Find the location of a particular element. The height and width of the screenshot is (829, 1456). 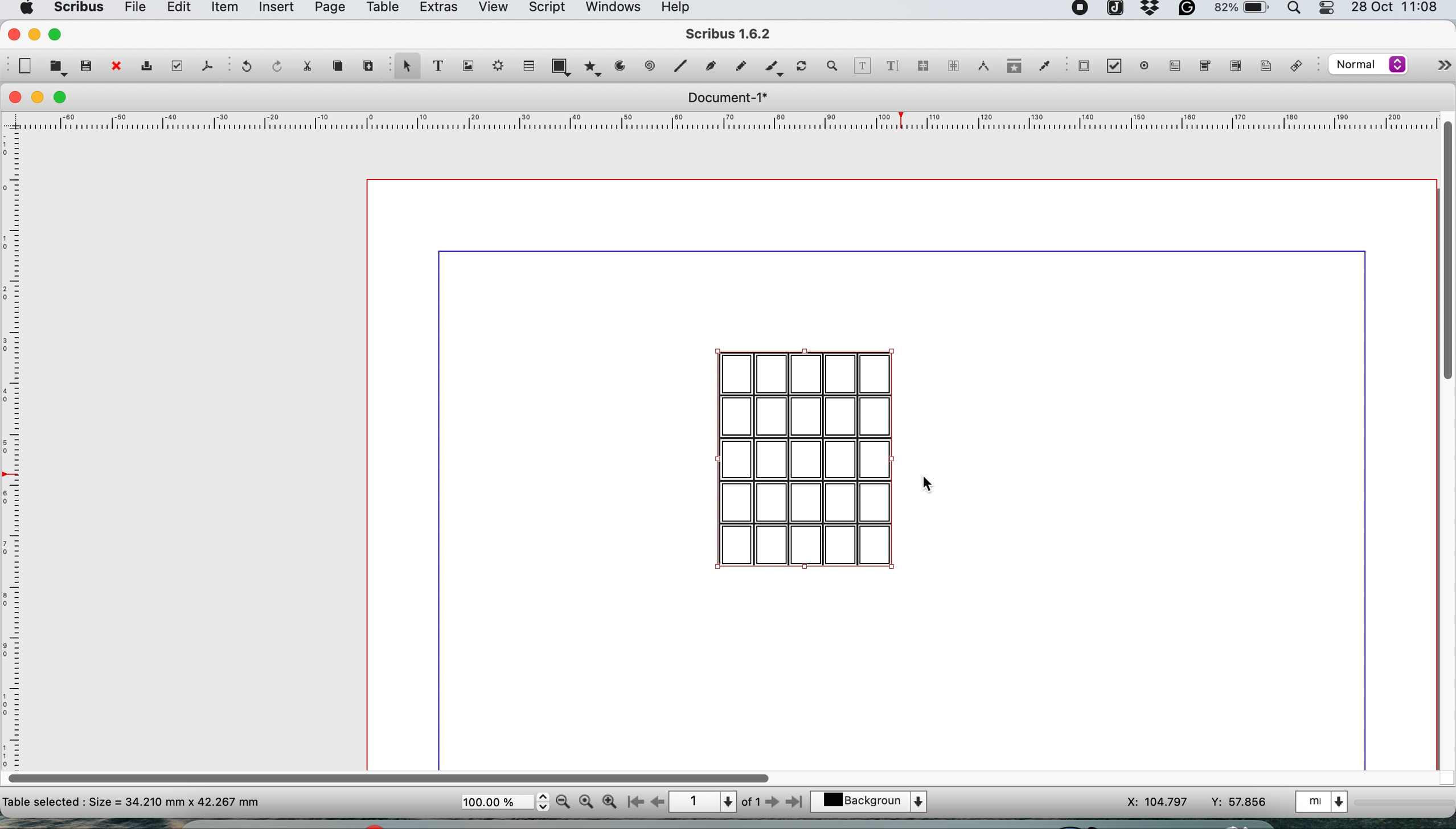

text is located at coordinates (132, 801).